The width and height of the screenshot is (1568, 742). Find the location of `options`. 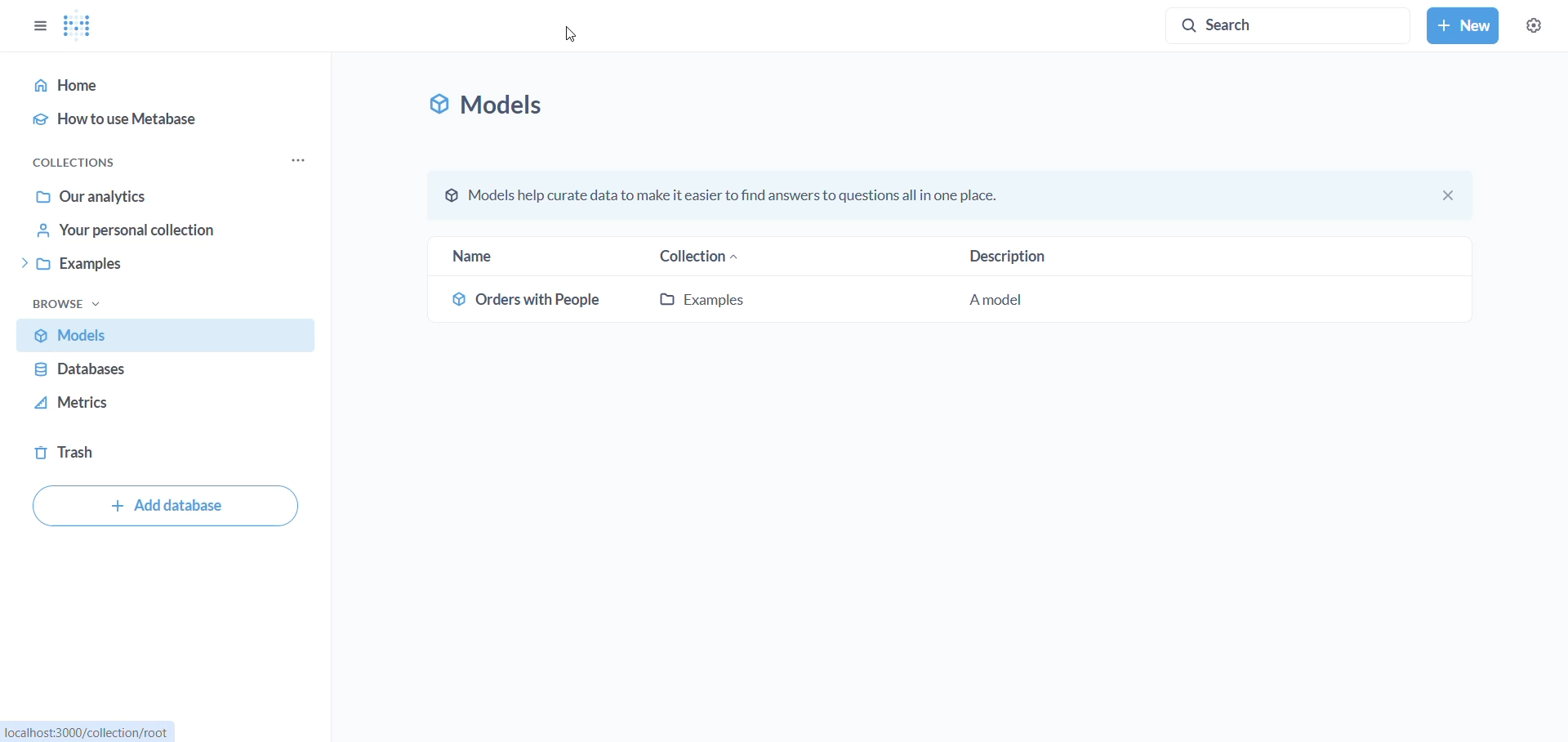

options is located at coordinates (38, 25).